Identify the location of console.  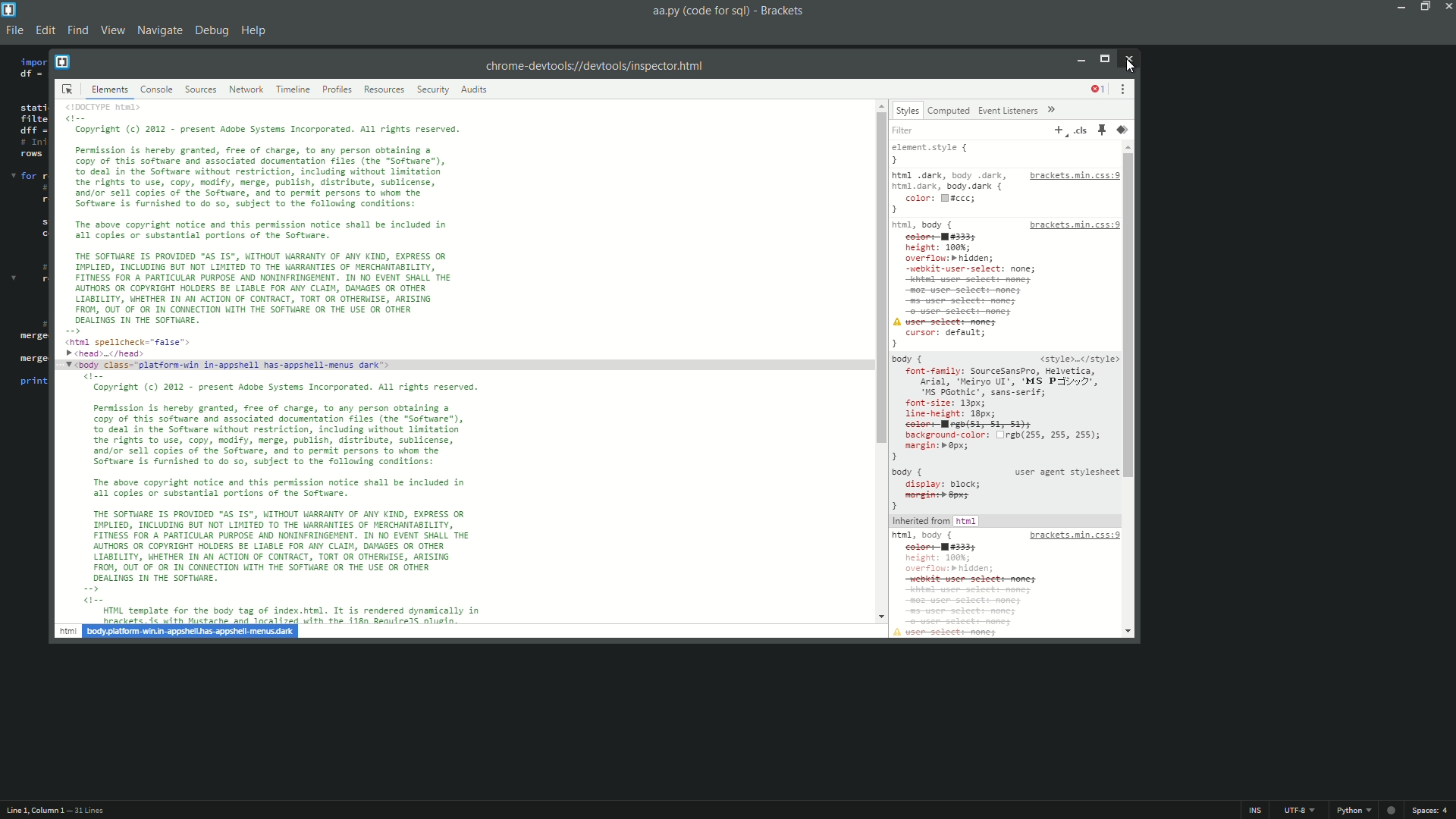
(157, 89).